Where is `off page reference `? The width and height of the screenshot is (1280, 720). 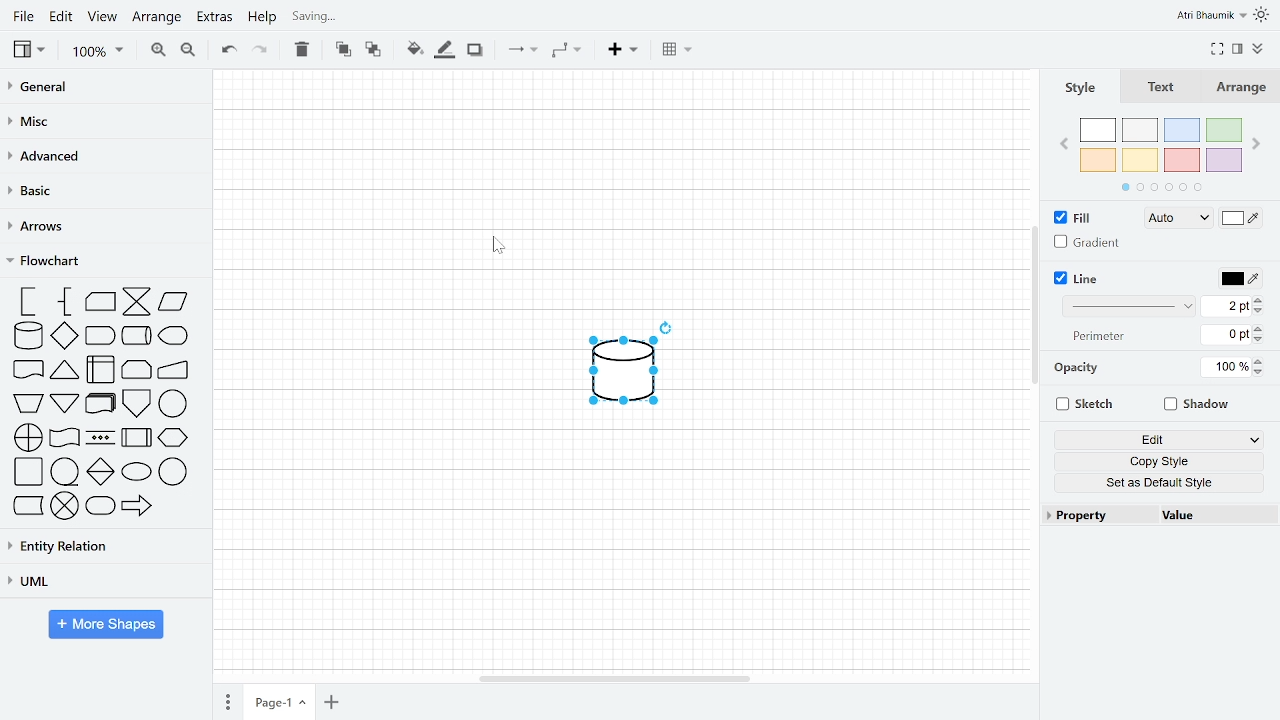
off page reference  is located at coordinates (137, 404).